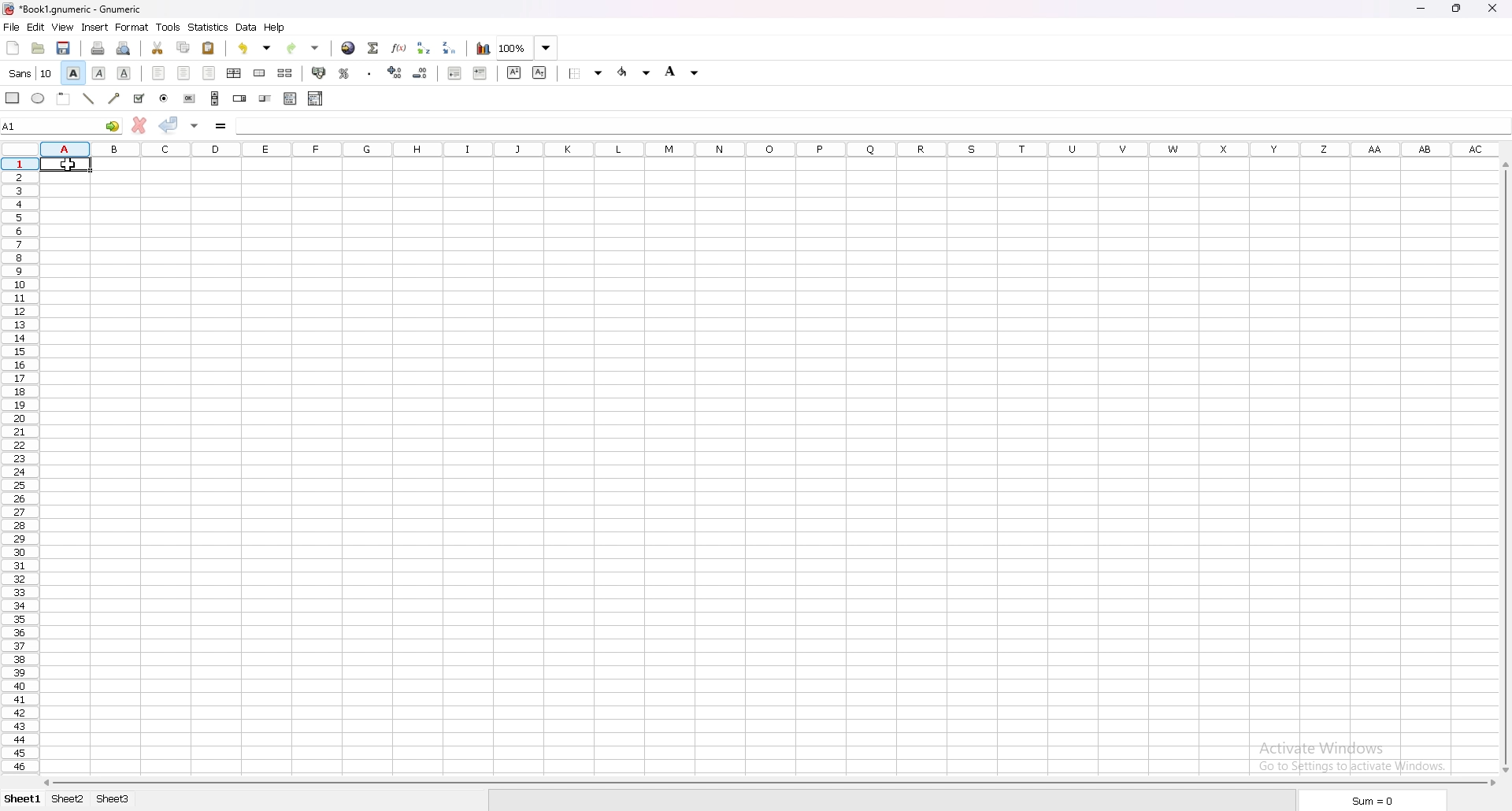 The image size is (1512, 811). Describe the element at coordinates (115, 800) in the screenshot. I see `sheet3` at that location.